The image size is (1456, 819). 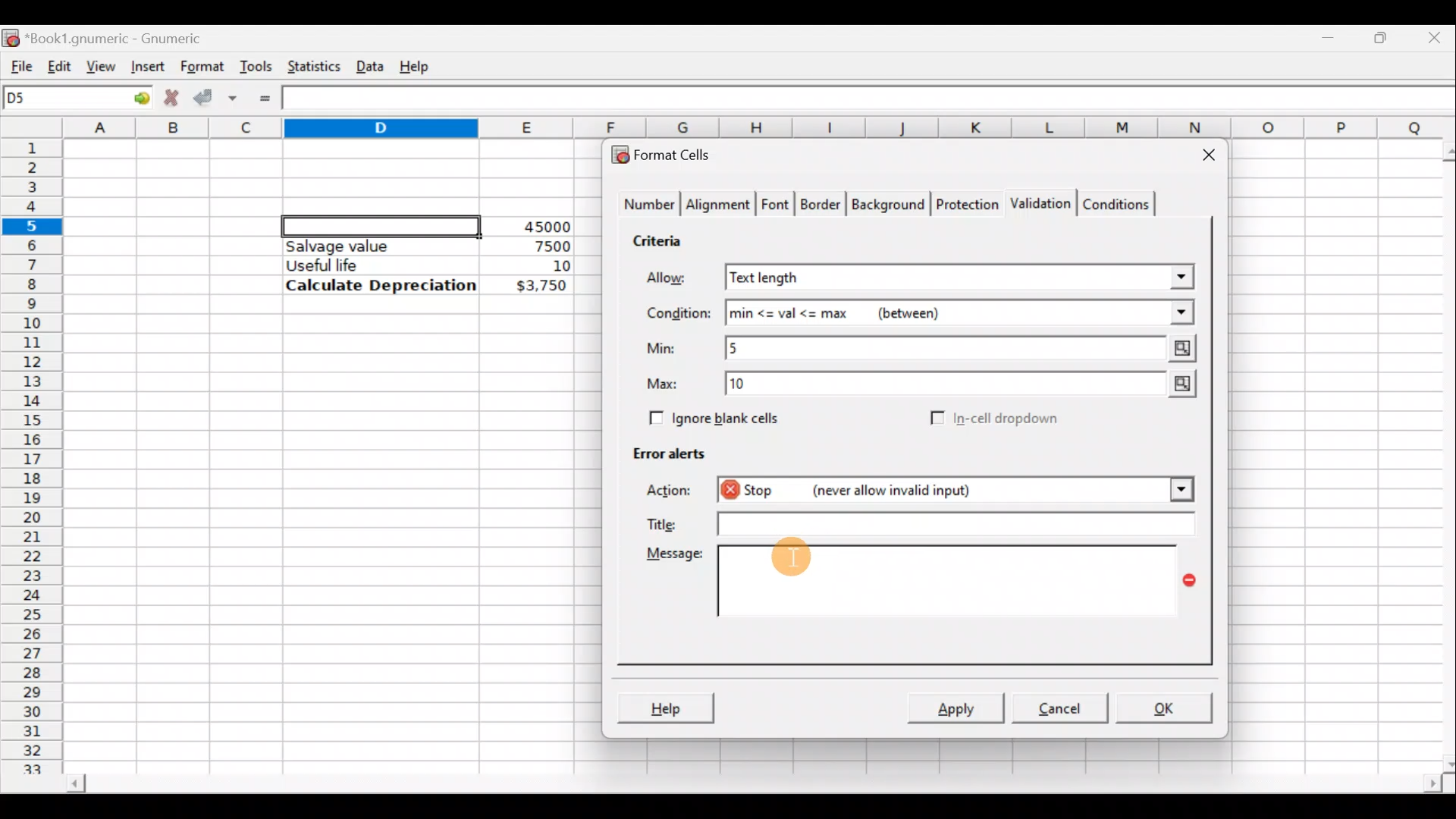 I want to click on Scroll bar, so click(x=1439, y=454).